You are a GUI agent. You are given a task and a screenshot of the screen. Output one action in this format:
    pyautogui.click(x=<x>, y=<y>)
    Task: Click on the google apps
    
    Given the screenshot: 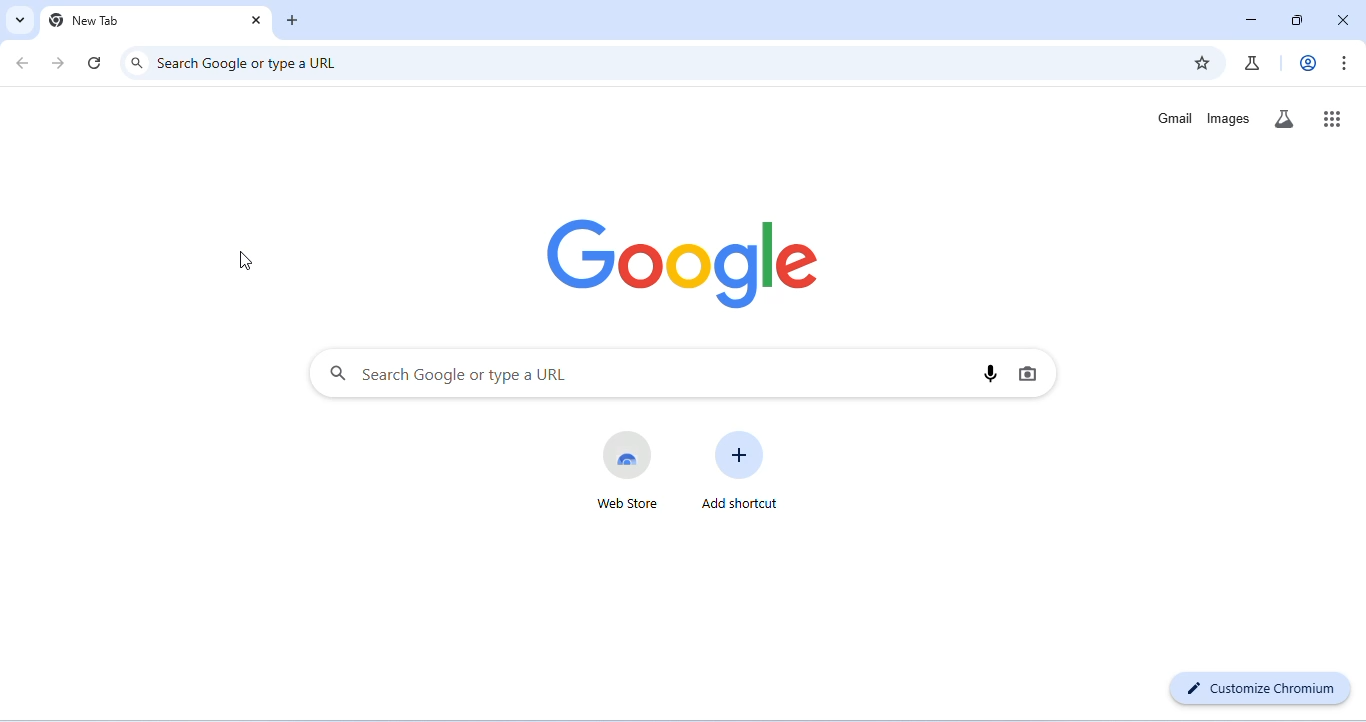 What is the action you would take?
    pyautogui.click(x=1331, y=119)
    